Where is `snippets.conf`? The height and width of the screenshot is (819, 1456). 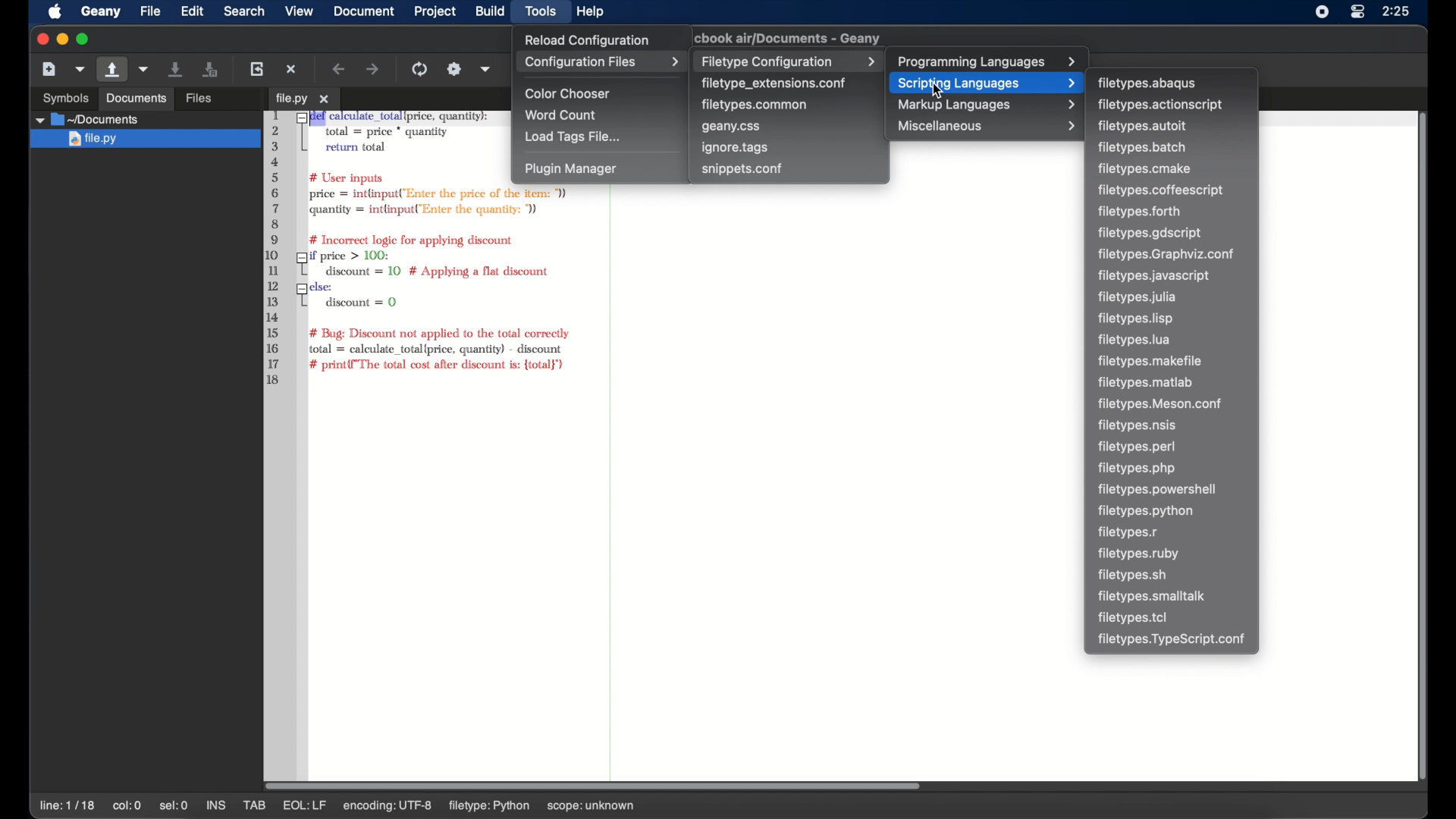
snippets.conf is located at coordinates (742, 168).